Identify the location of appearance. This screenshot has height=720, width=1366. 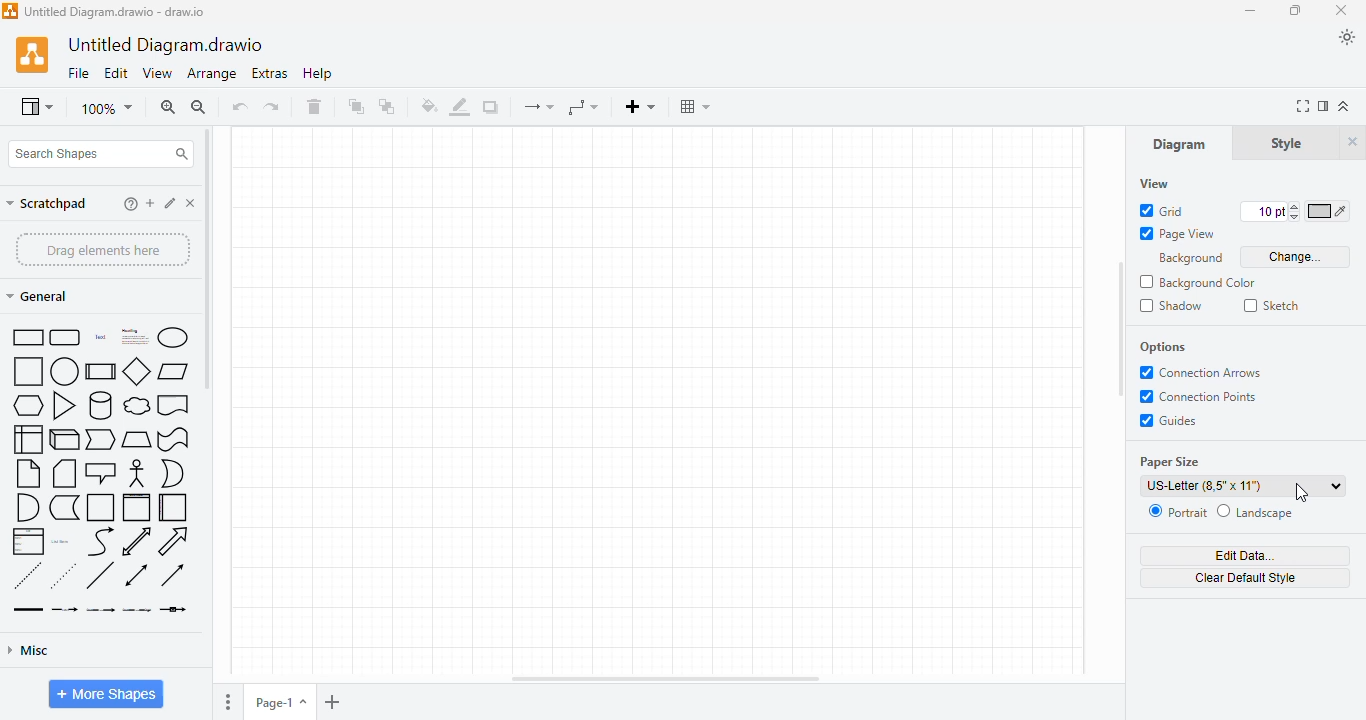
(1347, 37).